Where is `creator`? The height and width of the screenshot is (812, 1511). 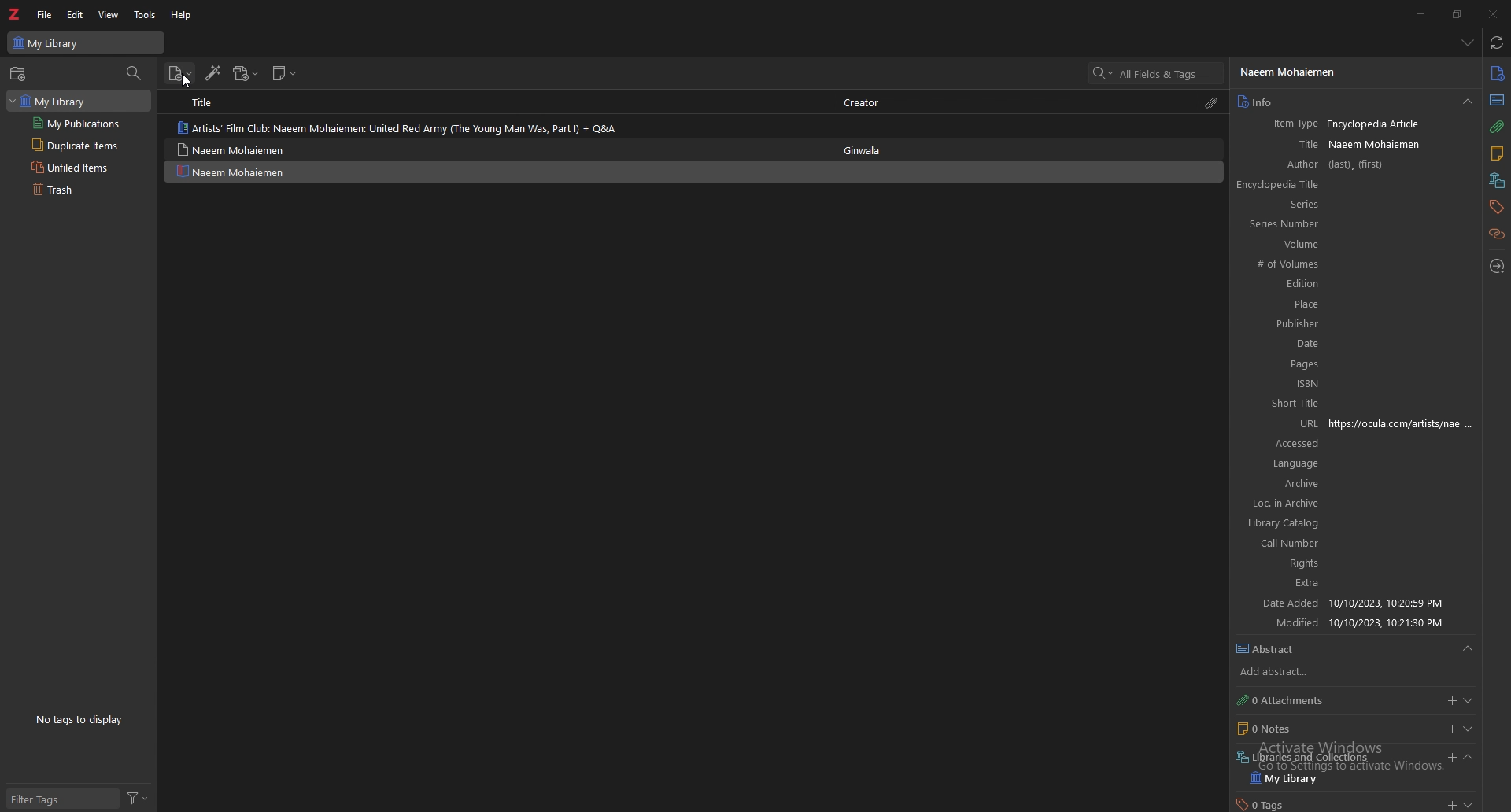 creator is located at coordinates (866, 101).